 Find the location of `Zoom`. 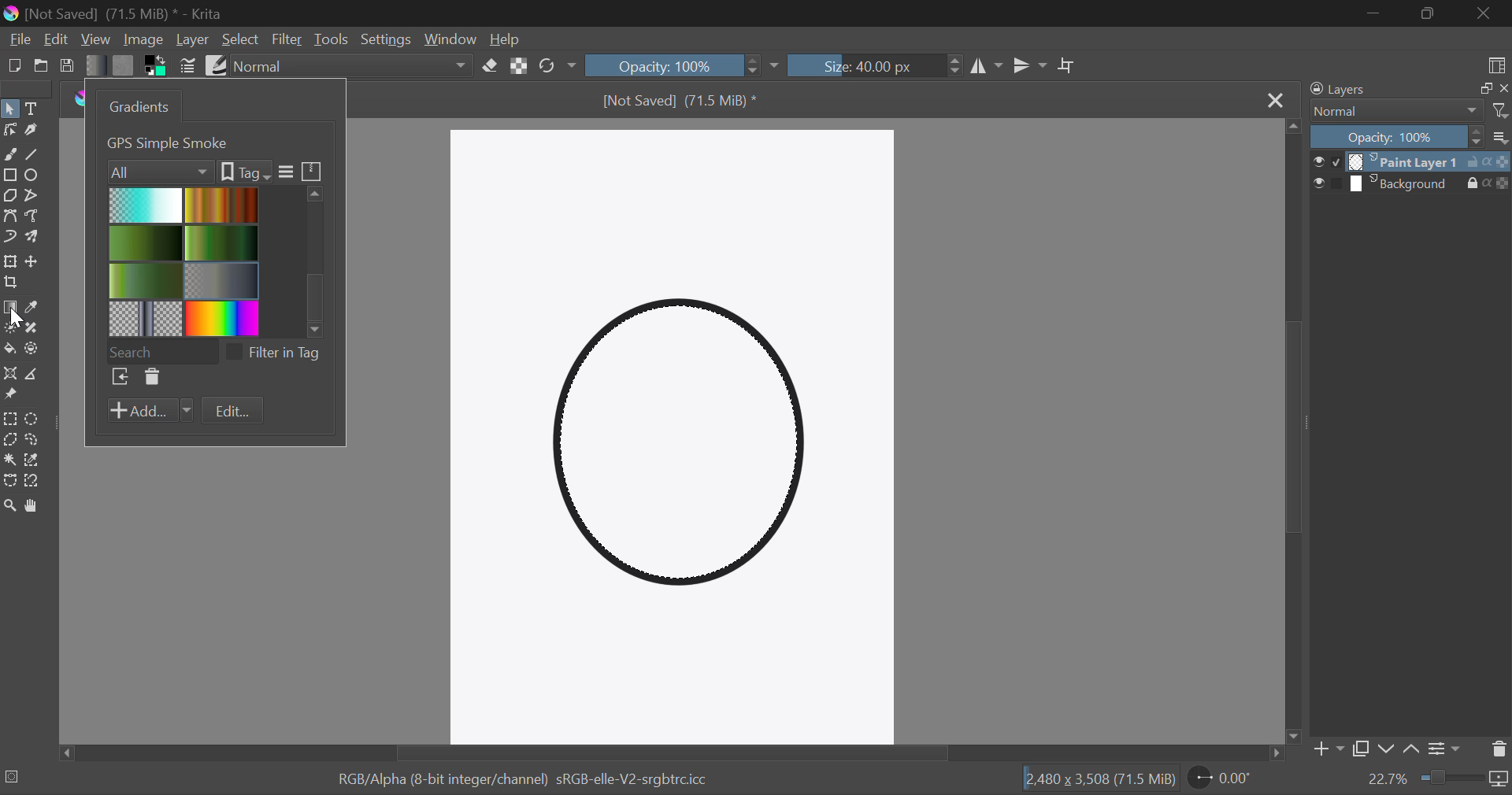

Zoom is located at coordinates (11, 507).